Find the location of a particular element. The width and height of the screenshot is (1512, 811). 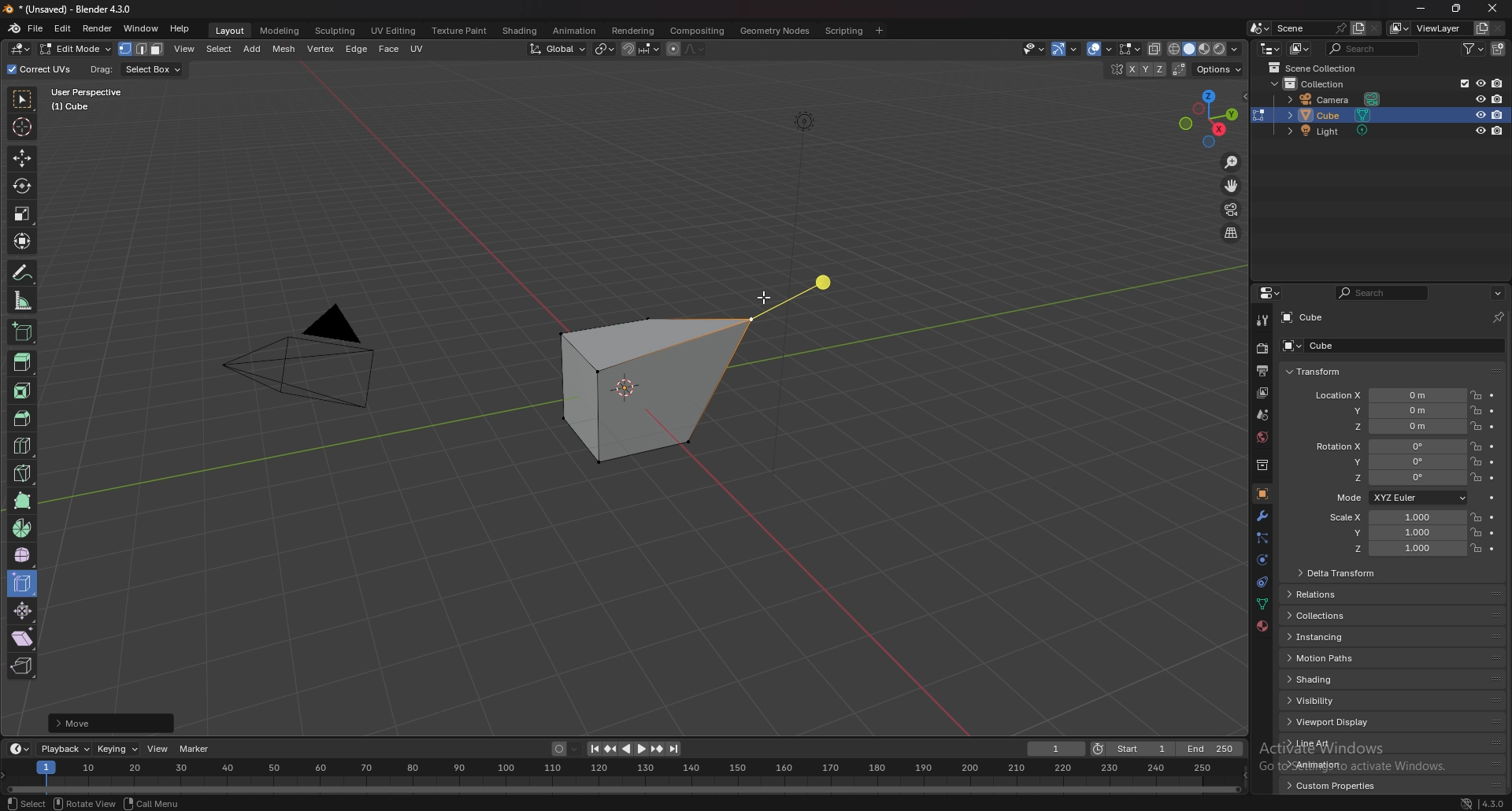

extrude region is located at coordinates (24, 361).